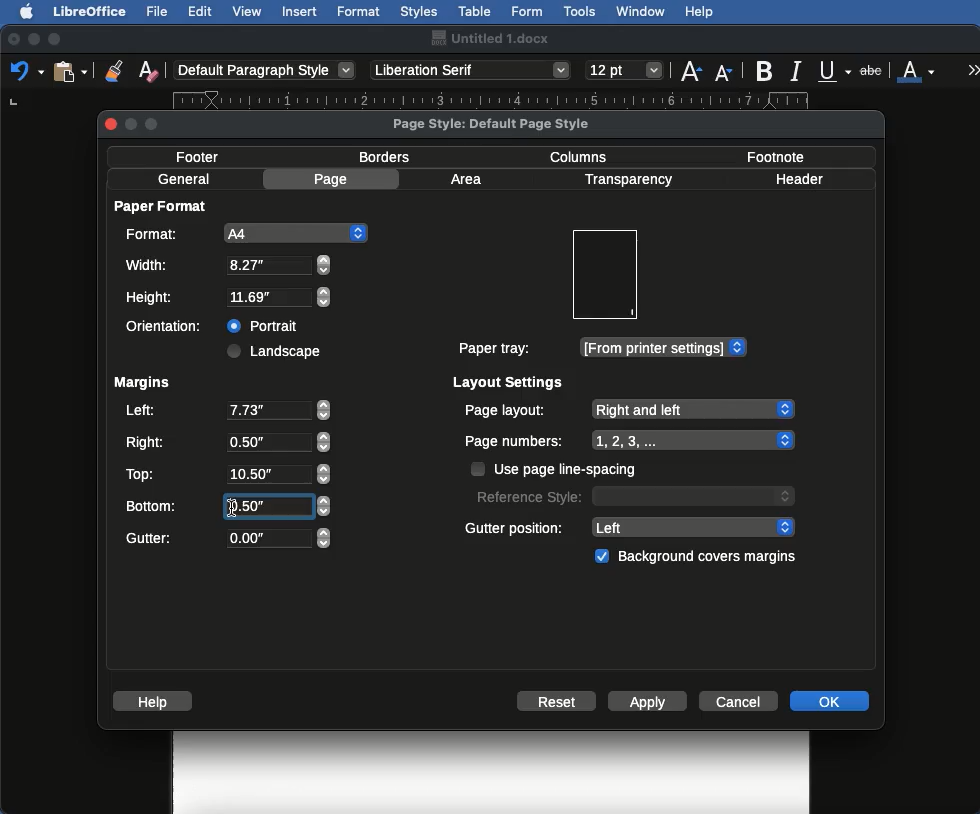  I want to click on Italics, so click(799, 69).